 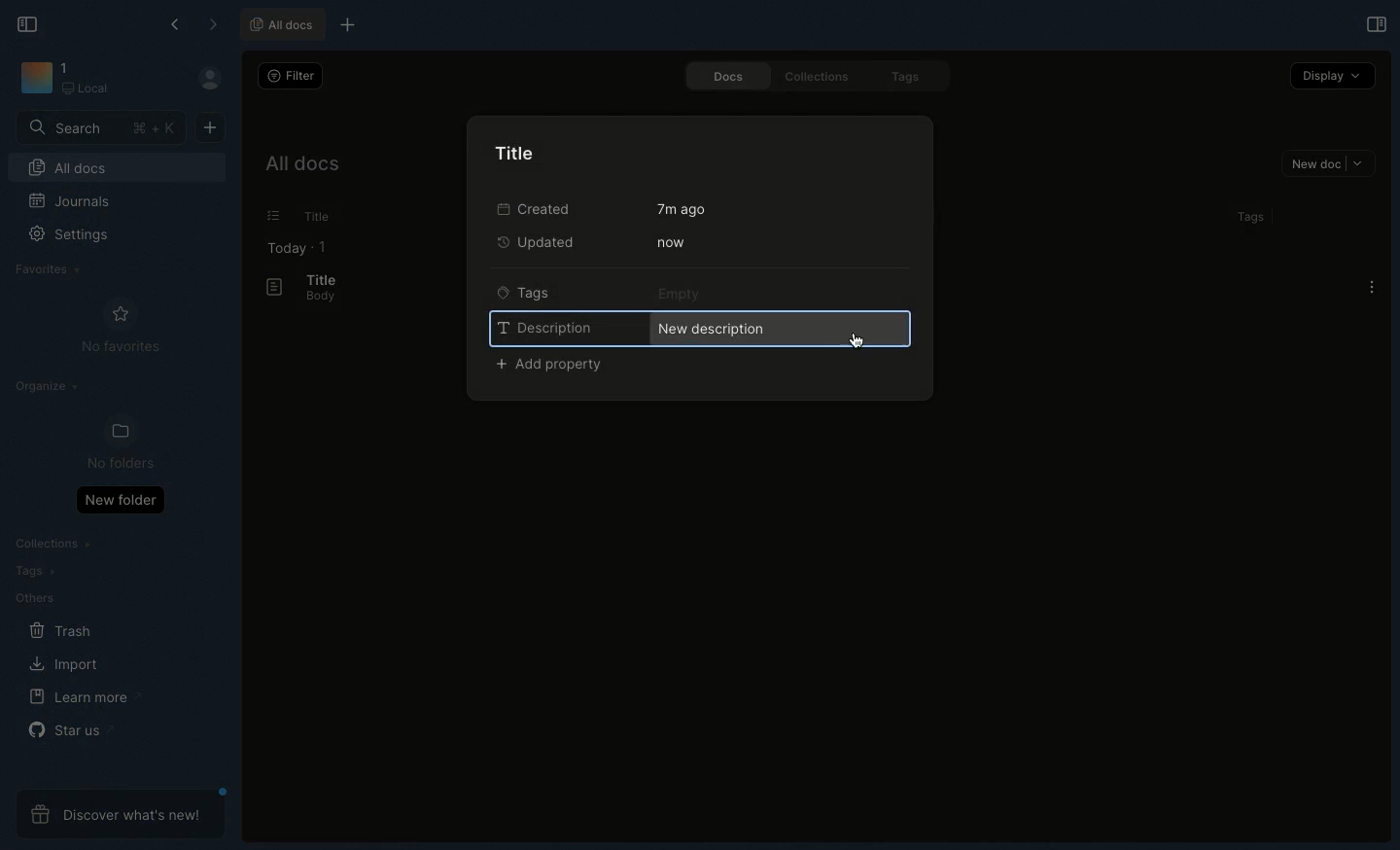 I want to click on Tags, so click(x=1246, y=217).